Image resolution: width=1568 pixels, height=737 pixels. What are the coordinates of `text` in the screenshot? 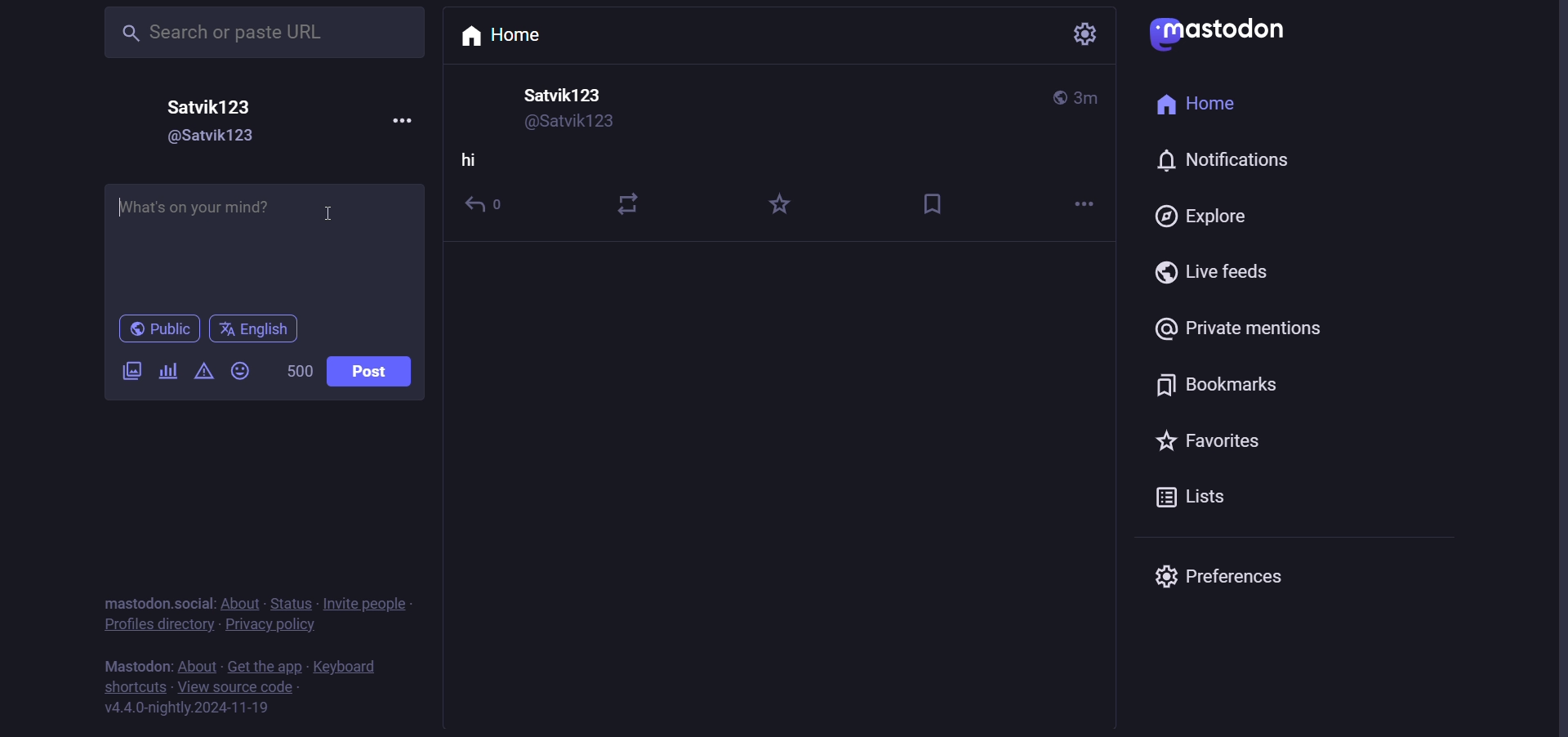 It's located at (136, 668).